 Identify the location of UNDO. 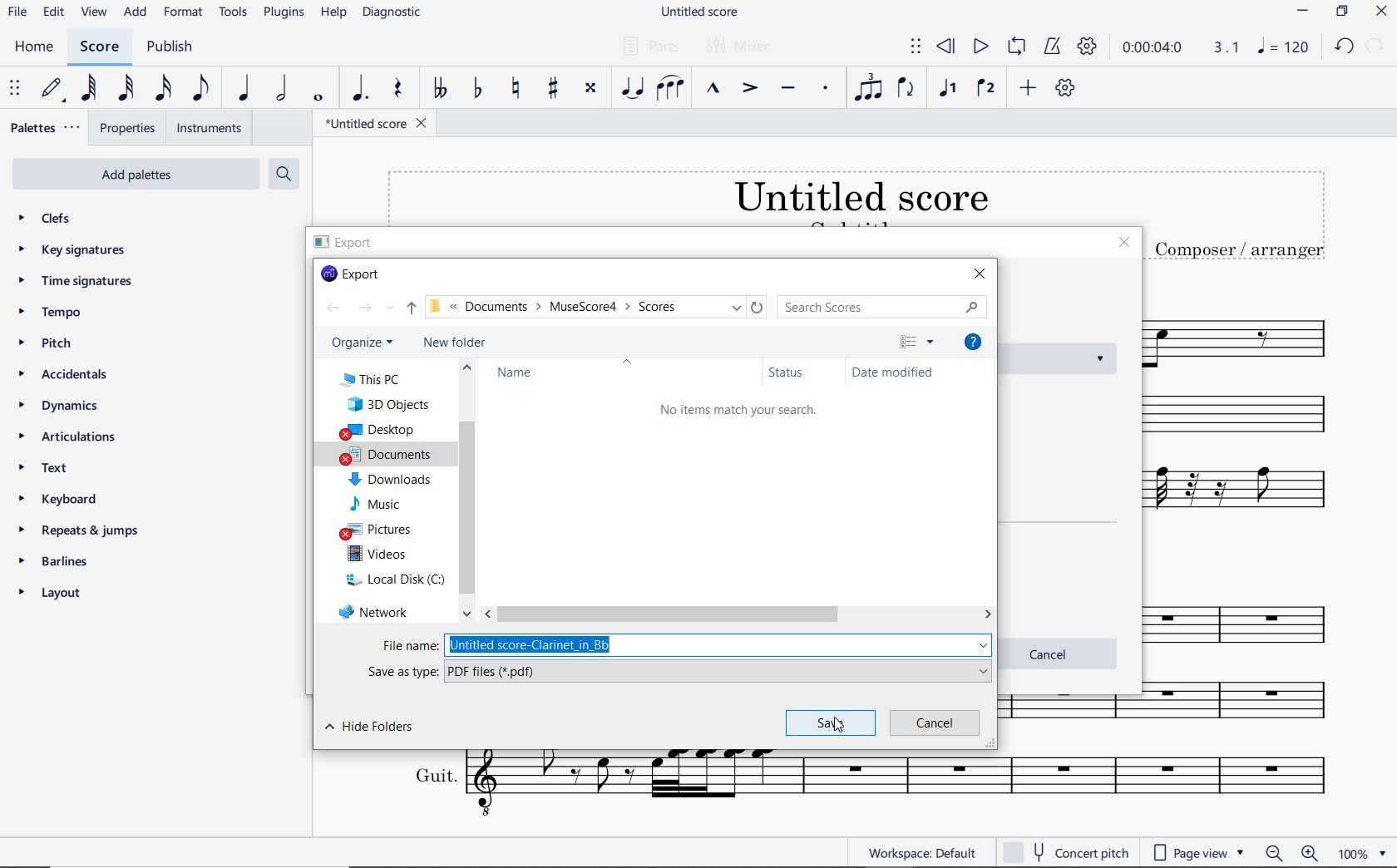
(1345, 47).